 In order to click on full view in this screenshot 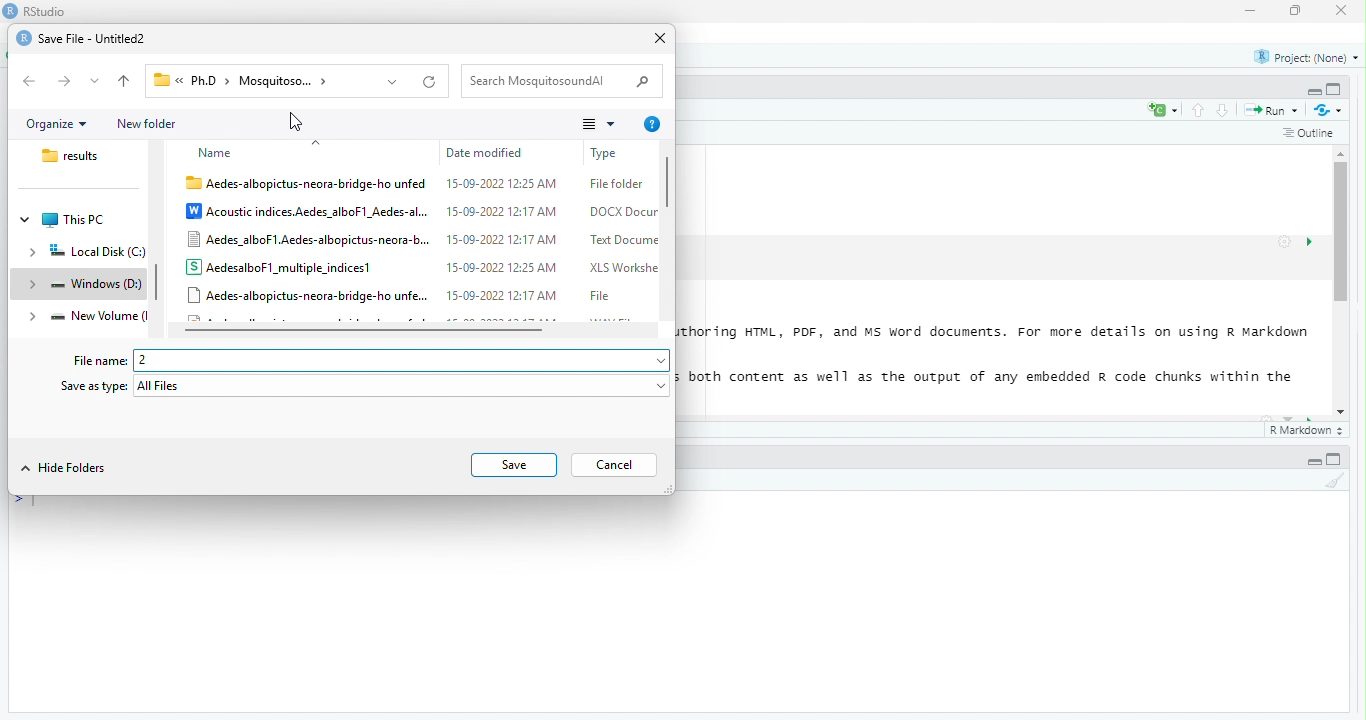, I will do `click(1334, 459)`.